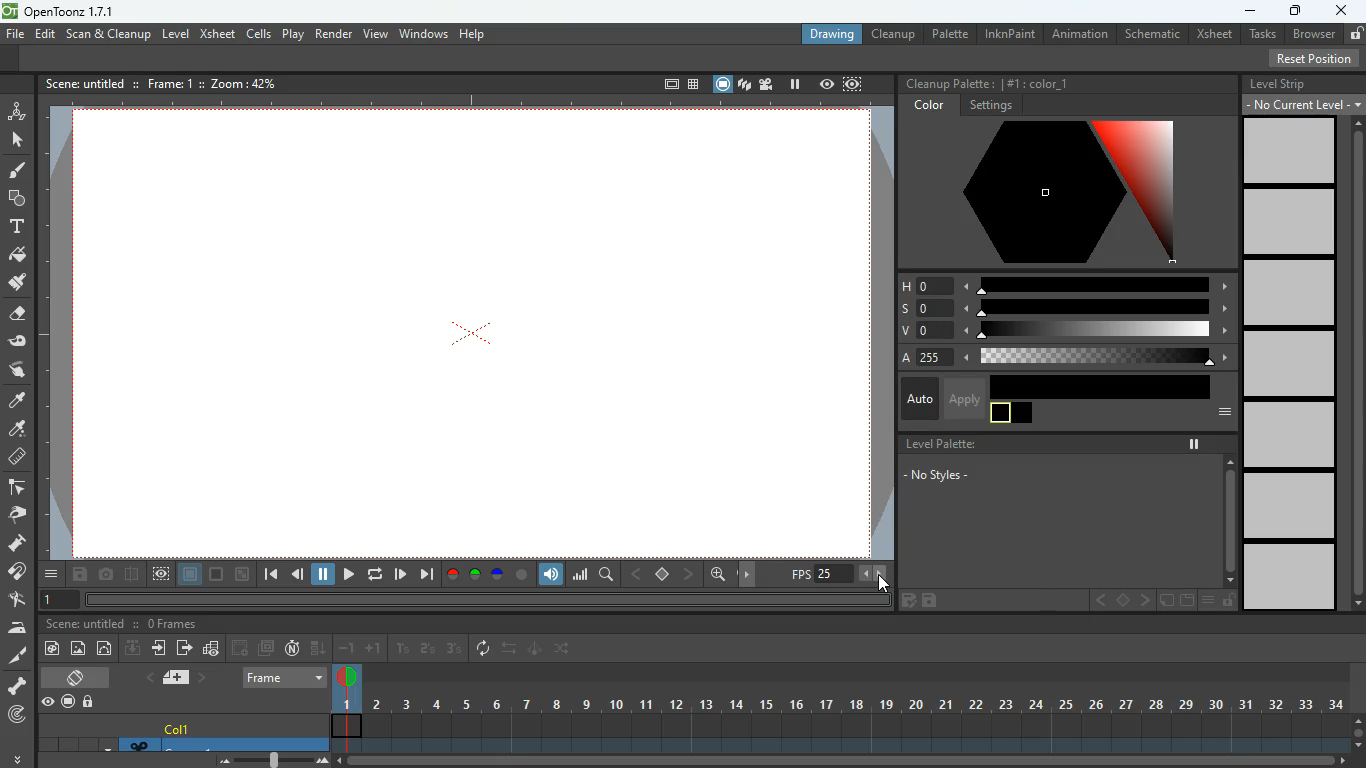 The image size is (1366, 768). What do you see at coordinates (693, 83) in the screenshot?
I see `table` at bounding box center [693, 83].